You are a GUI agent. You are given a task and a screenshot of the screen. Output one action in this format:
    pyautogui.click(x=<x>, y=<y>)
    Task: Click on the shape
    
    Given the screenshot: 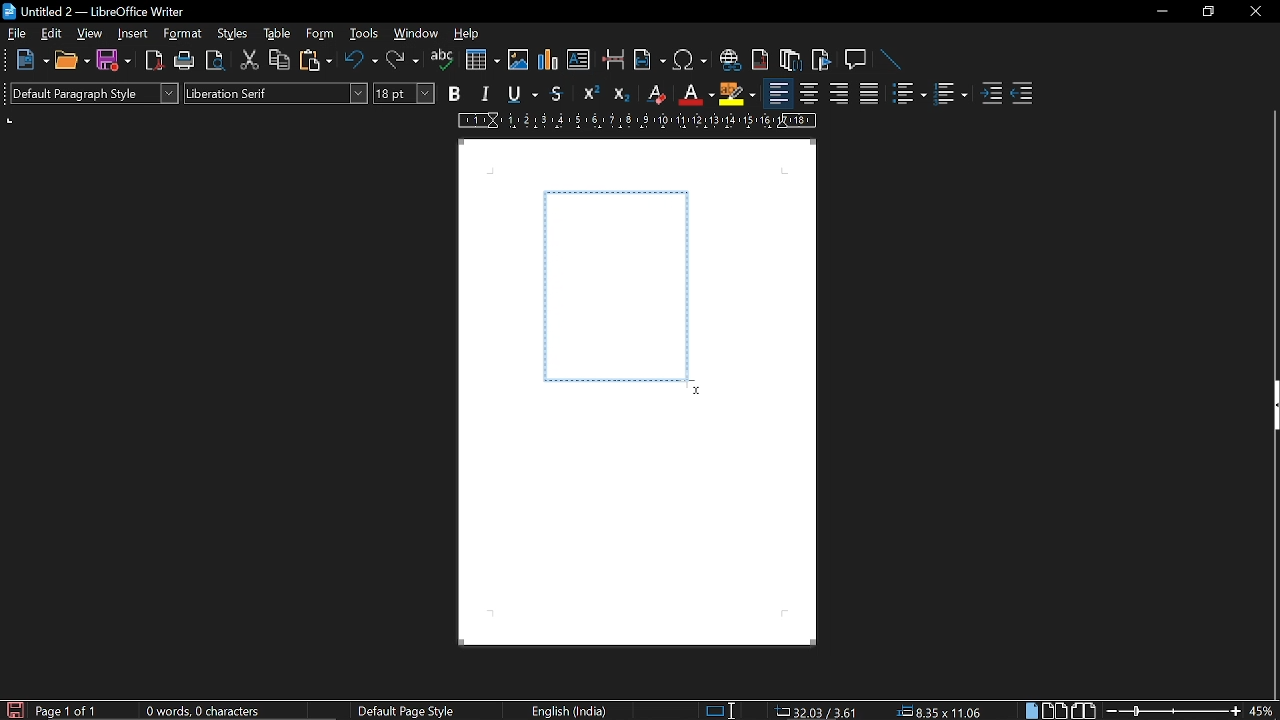 What is the action you would take?
    pyautogui.click(x=618, y=286)
    